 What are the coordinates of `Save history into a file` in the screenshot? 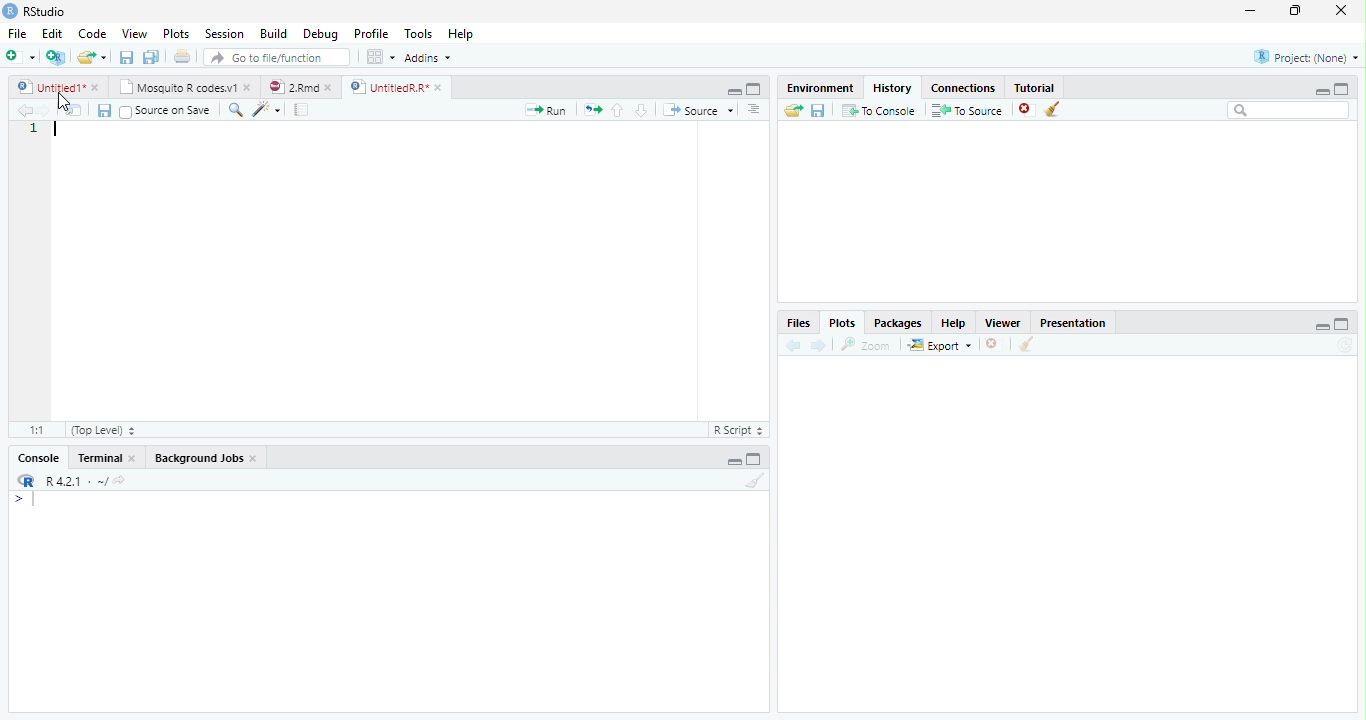 It's located at (819, 110).